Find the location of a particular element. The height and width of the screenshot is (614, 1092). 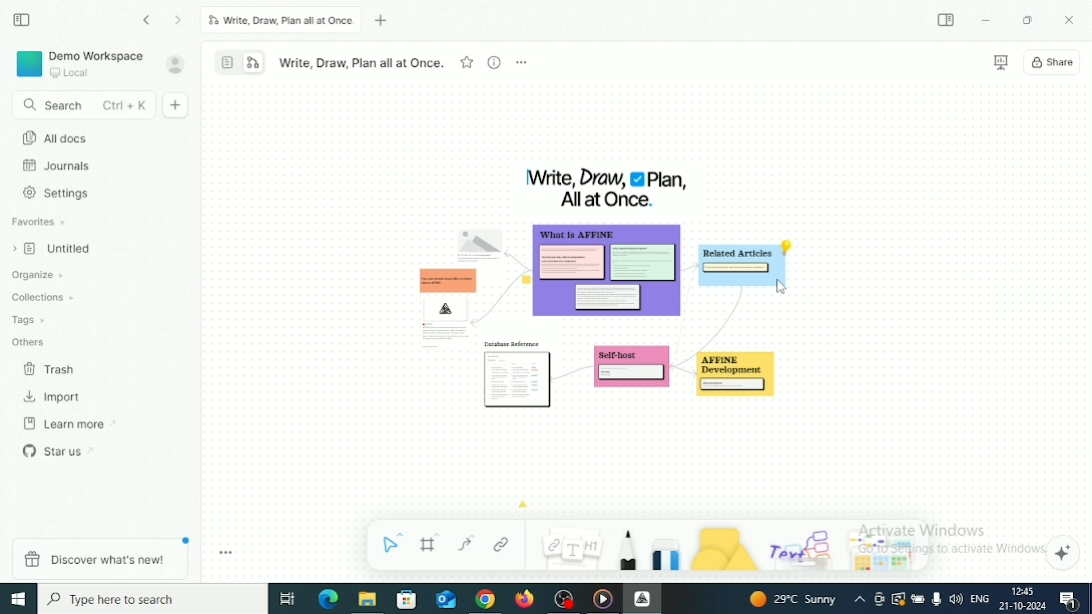

Type here to search is located at coordinates (153, 598).